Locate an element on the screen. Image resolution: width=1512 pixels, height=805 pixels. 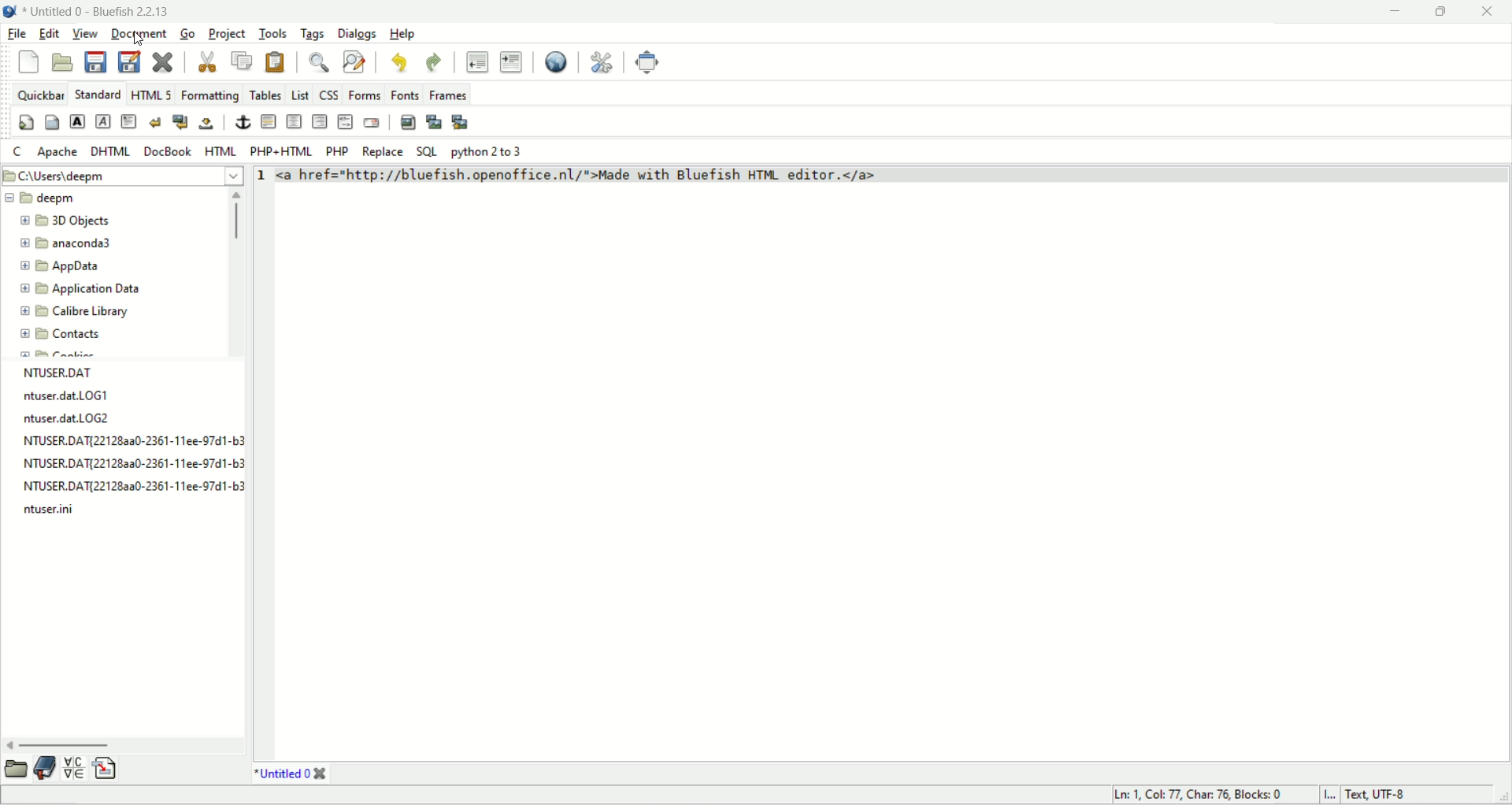
document is located at coordinates (139, 33).